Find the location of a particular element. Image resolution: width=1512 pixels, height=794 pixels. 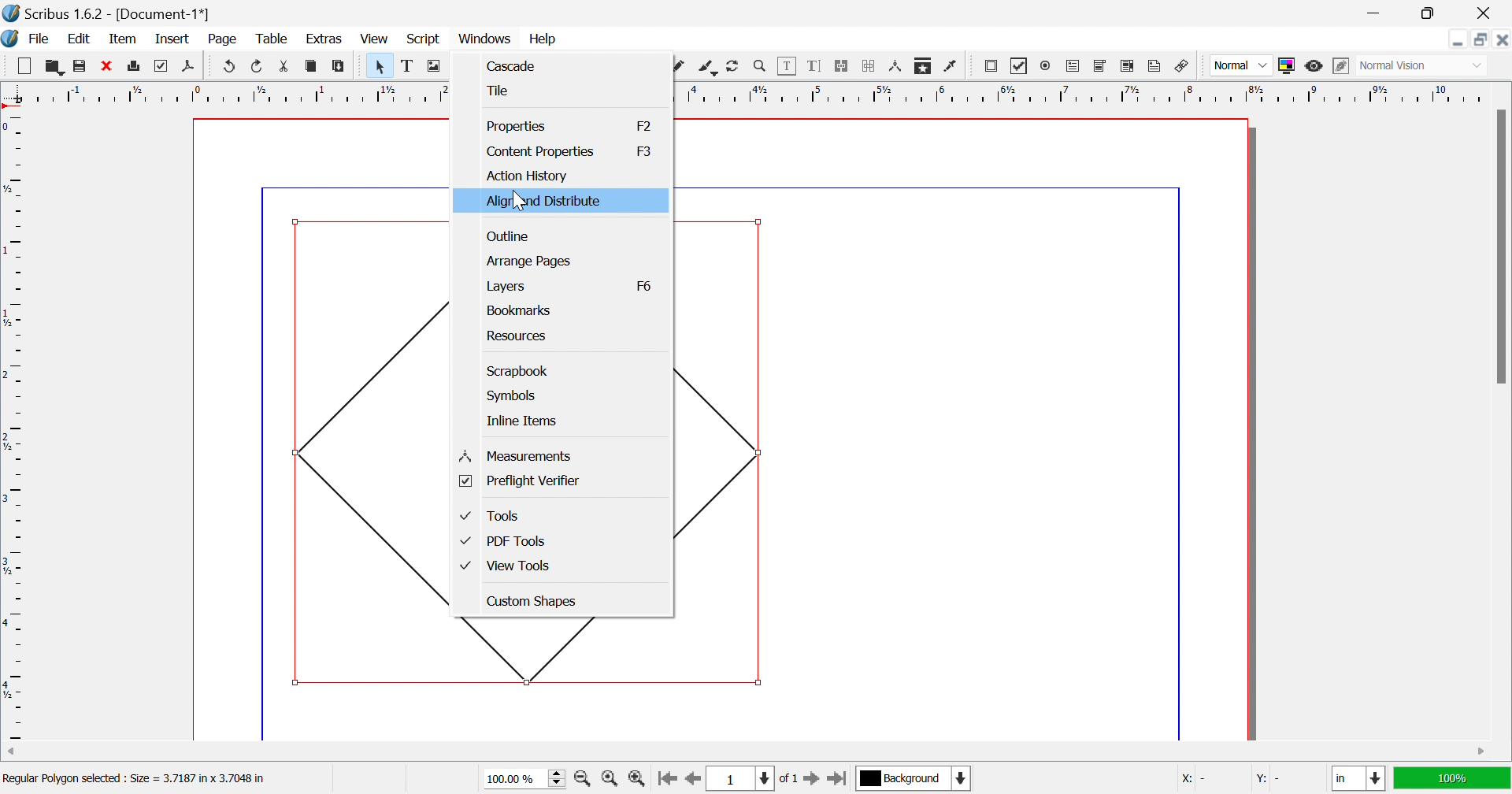

Zoom out by the stepping value in Tools preferences is located at coordinates (584, 781).